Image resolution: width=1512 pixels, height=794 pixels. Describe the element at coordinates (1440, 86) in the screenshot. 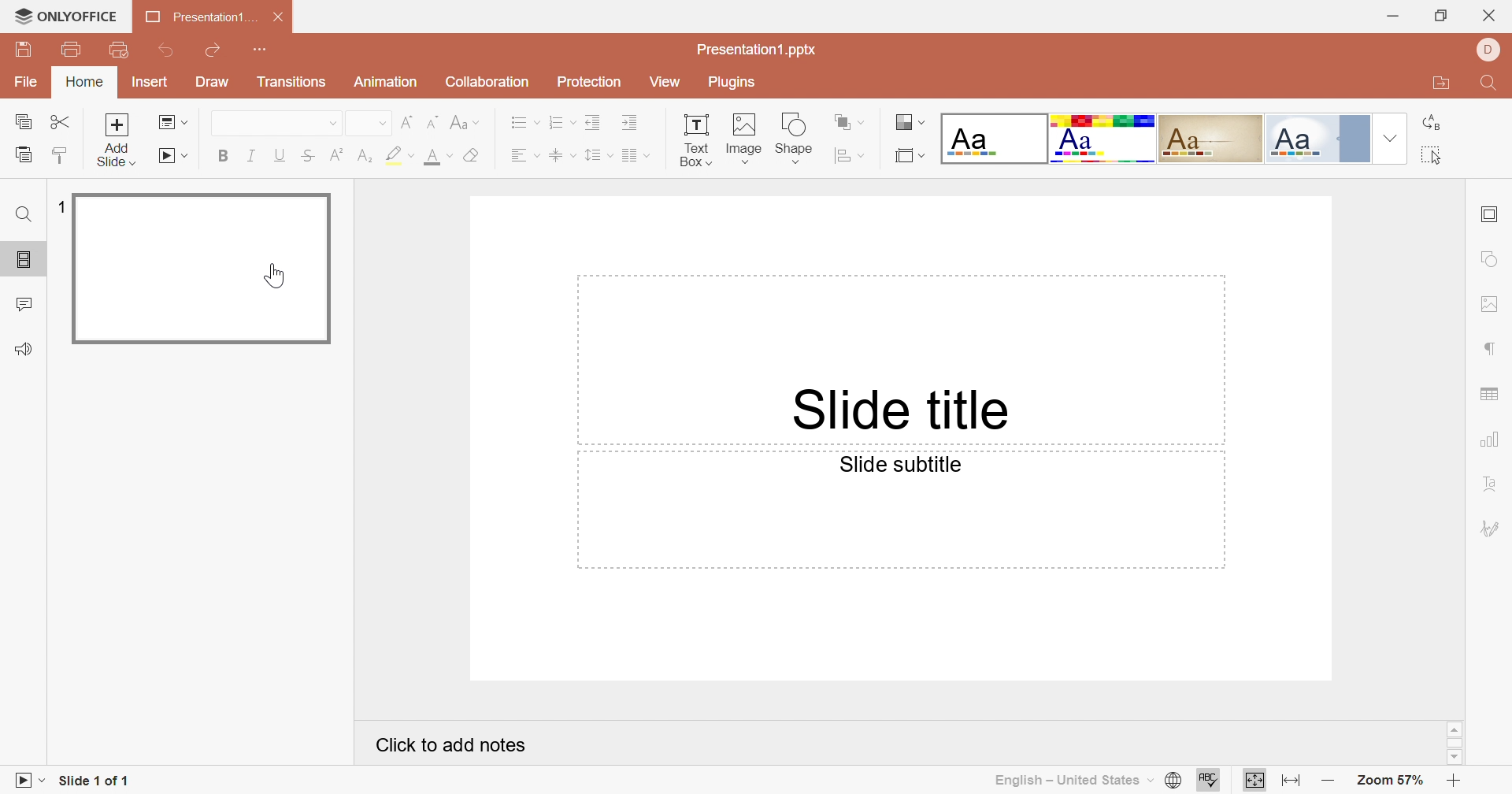

I see `Open file location` at that location.